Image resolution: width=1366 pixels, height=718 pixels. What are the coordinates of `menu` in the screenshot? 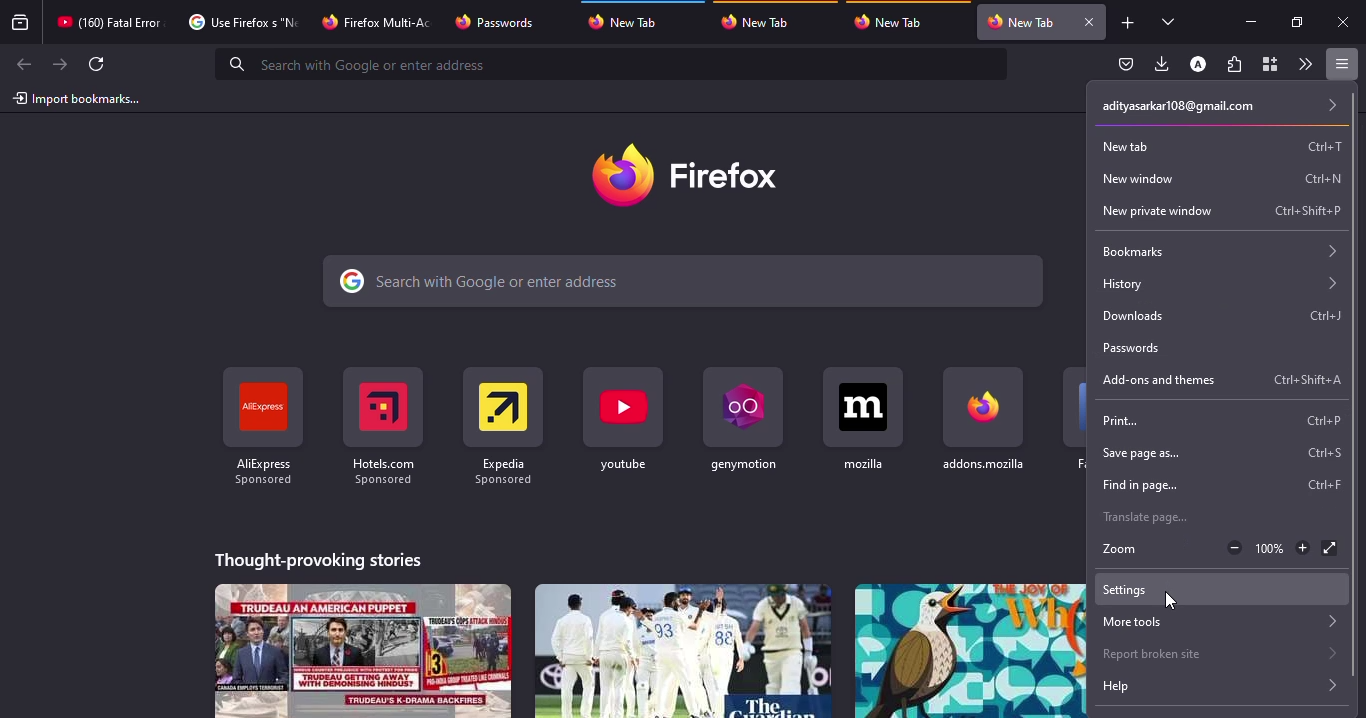 It's located at (1338, 64).